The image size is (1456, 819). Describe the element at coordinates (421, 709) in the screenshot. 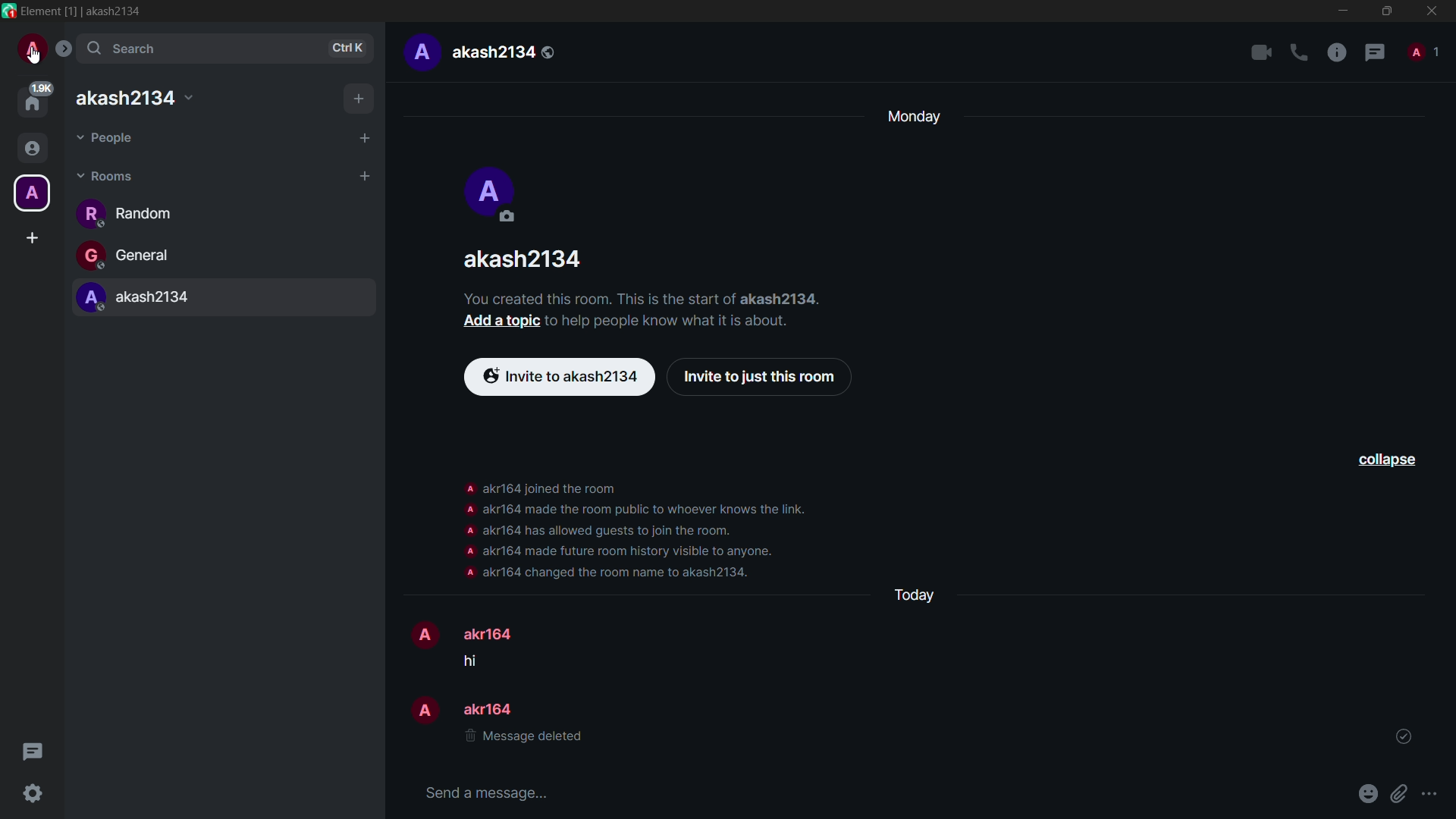

I see `profile` at that location.